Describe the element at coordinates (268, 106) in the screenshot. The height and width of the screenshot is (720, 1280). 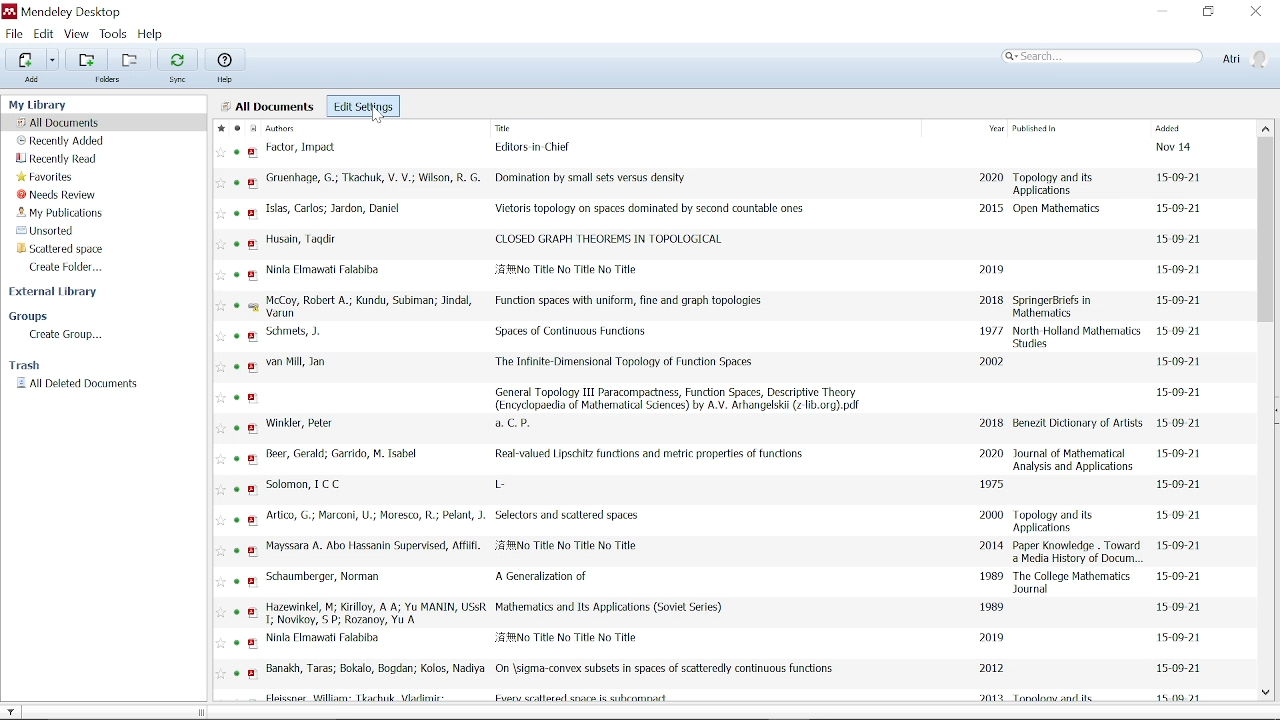
I see `All Documents` at that location.